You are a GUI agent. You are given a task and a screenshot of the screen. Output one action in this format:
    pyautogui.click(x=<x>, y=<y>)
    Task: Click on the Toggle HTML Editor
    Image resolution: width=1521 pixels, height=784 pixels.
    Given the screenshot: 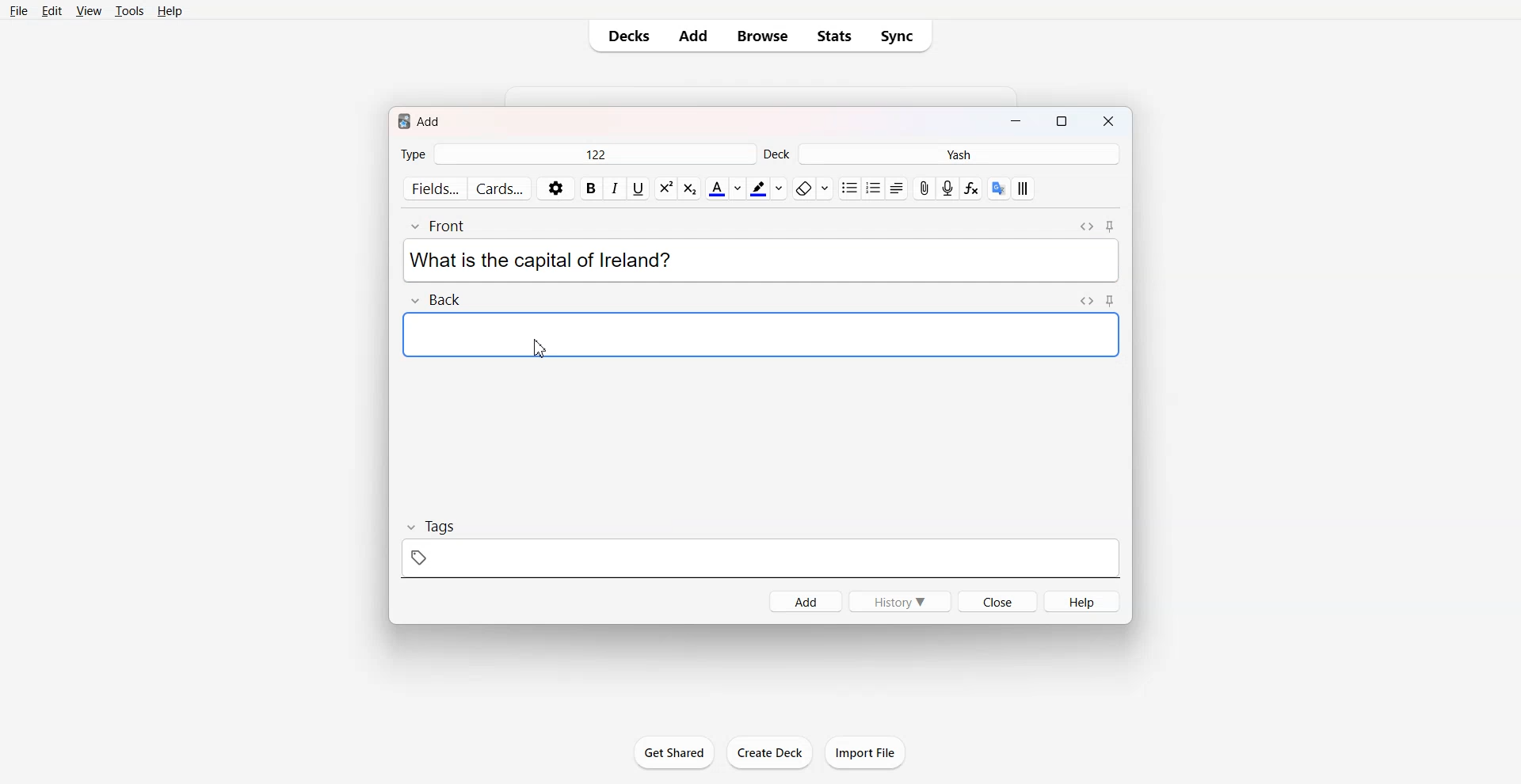 What is the action you would take?
    pyautogui.click(x=1086, y=226)
    